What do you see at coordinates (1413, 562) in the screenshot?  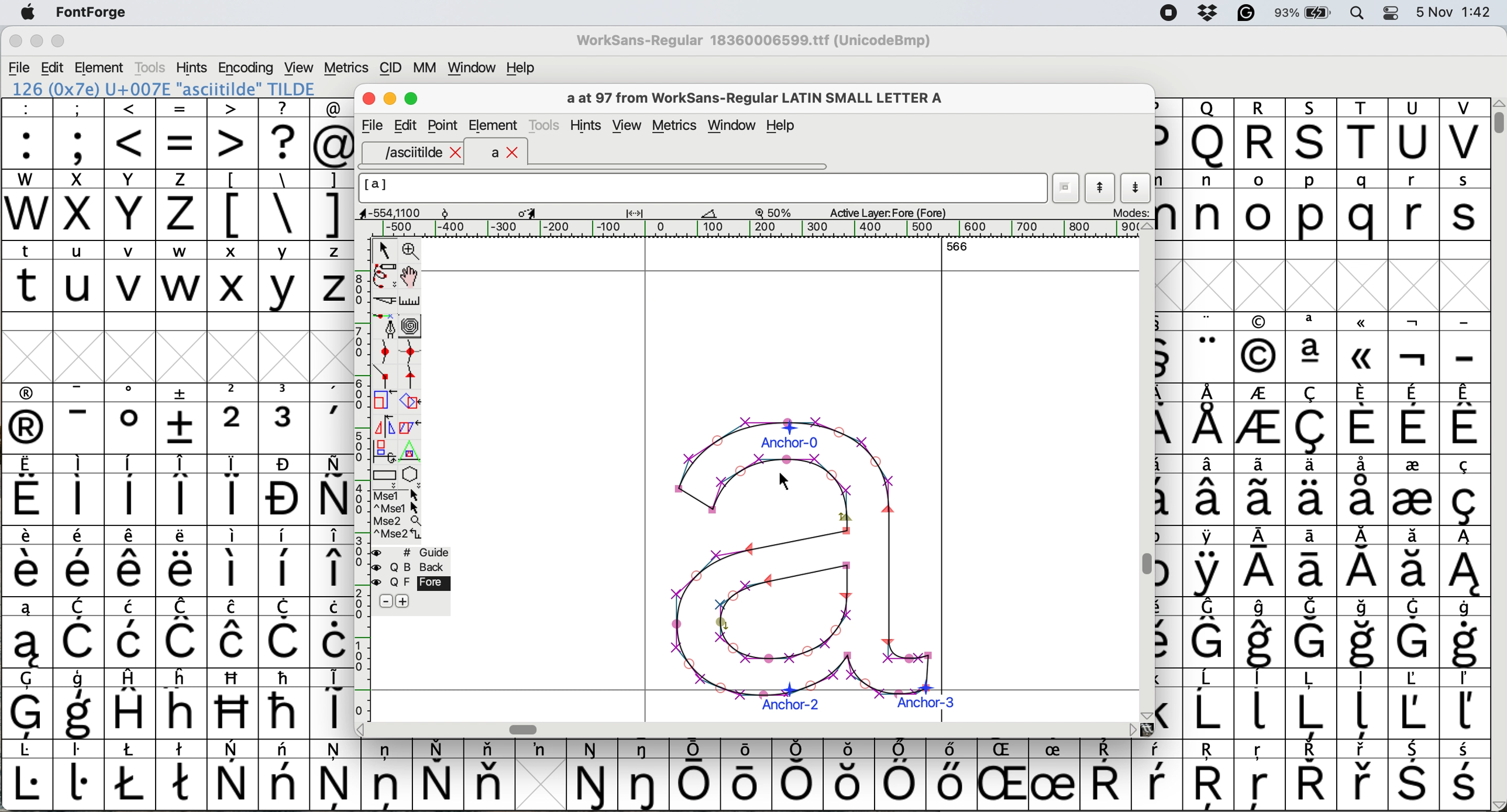 I see `symbol` at bounding box center [1413, 562].